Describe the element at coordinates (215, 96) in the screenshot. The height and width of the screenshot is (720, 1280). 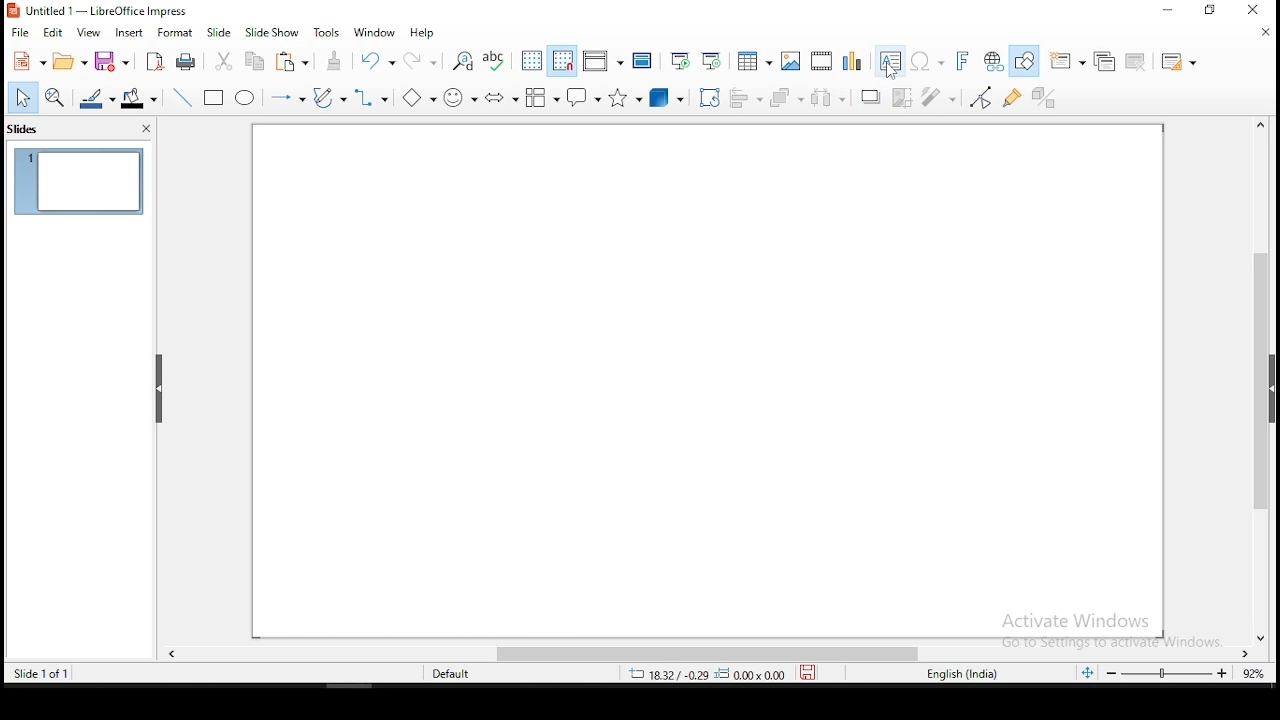
I see `rectangle` at that location.